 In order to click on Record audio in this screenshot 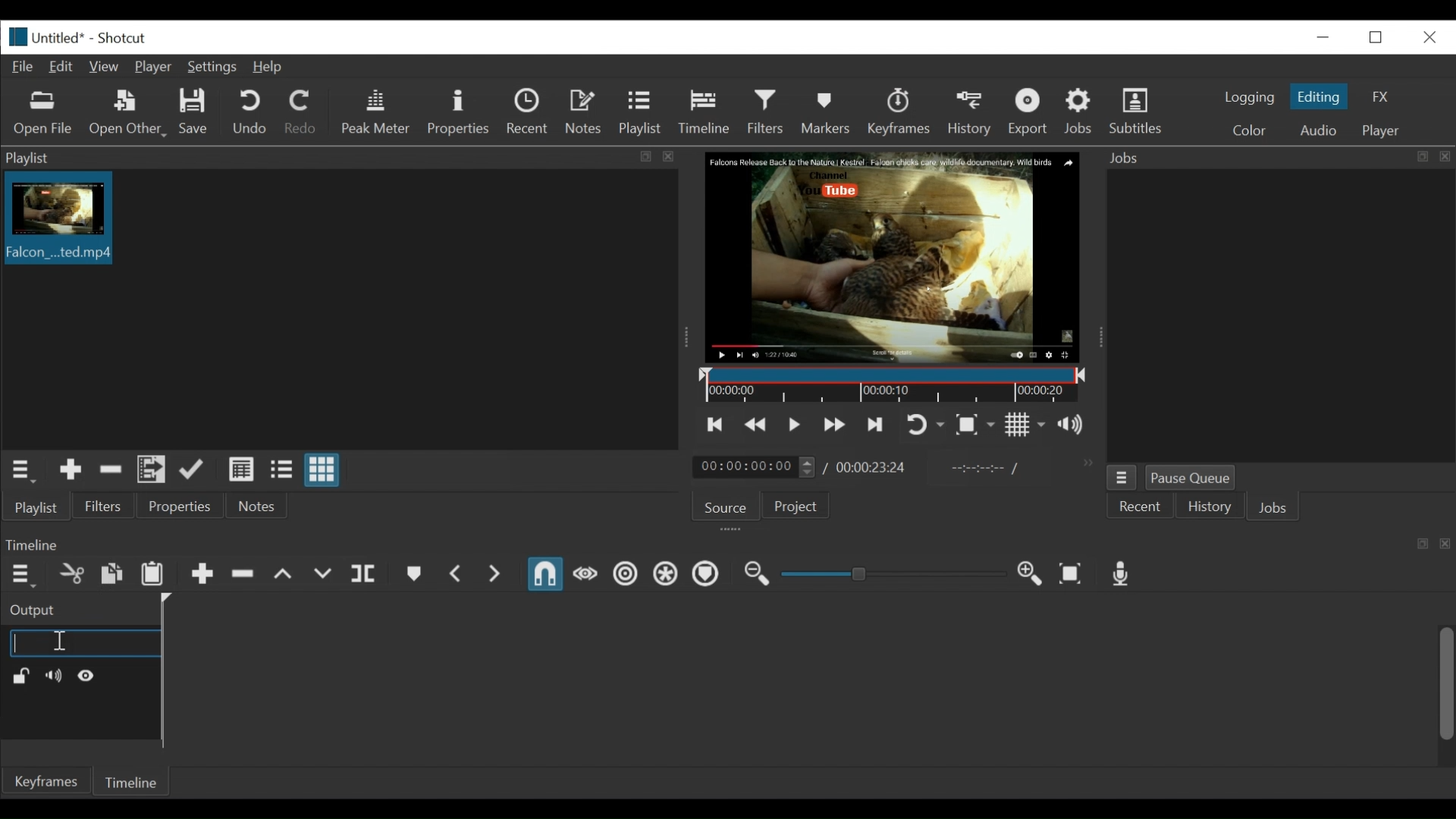, I will do `click(1122, 574)`.